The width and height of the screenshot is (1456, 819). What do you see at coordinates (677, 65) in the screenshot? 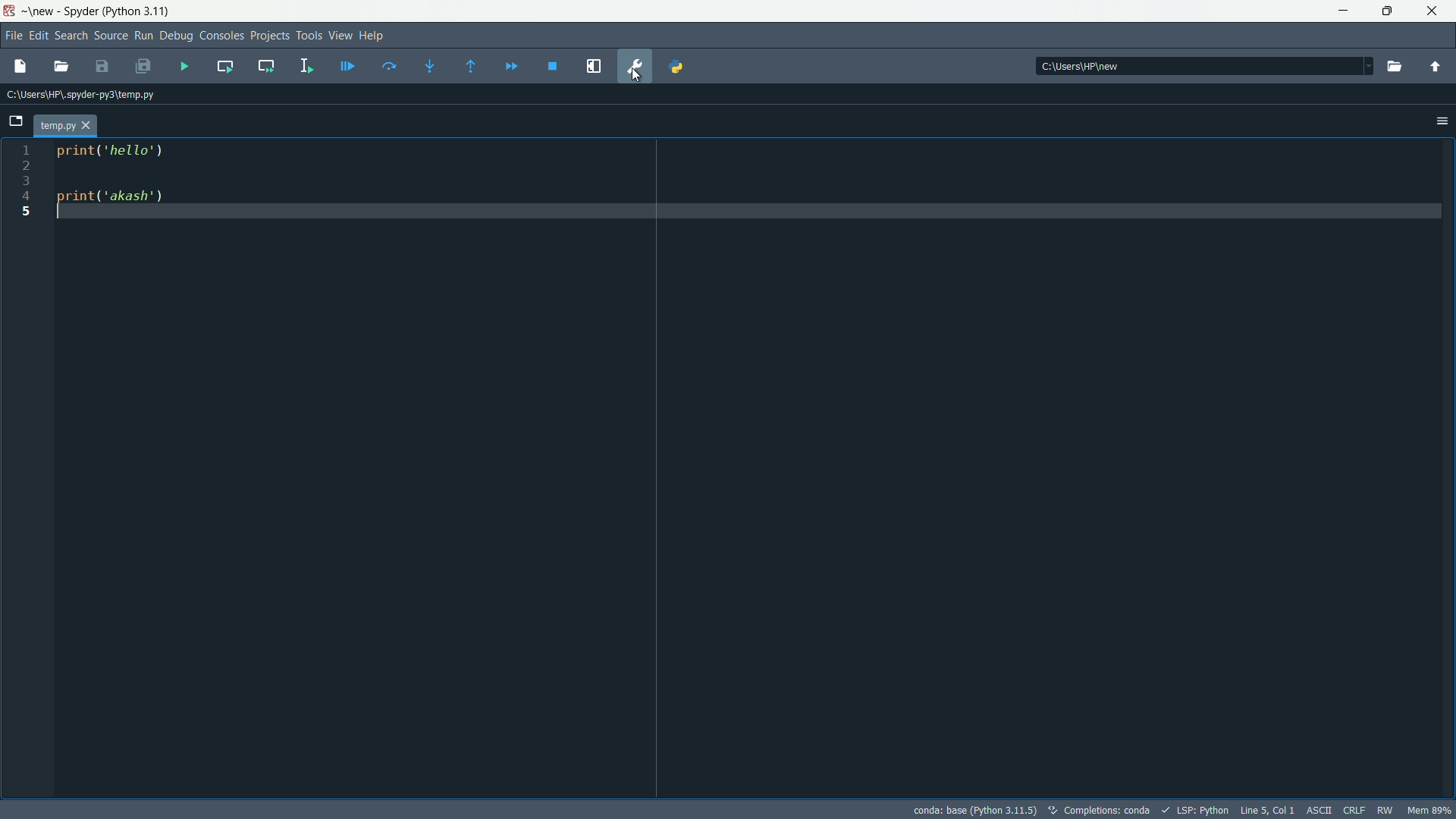
I see `python path manager` at bounding box center [677, 65].